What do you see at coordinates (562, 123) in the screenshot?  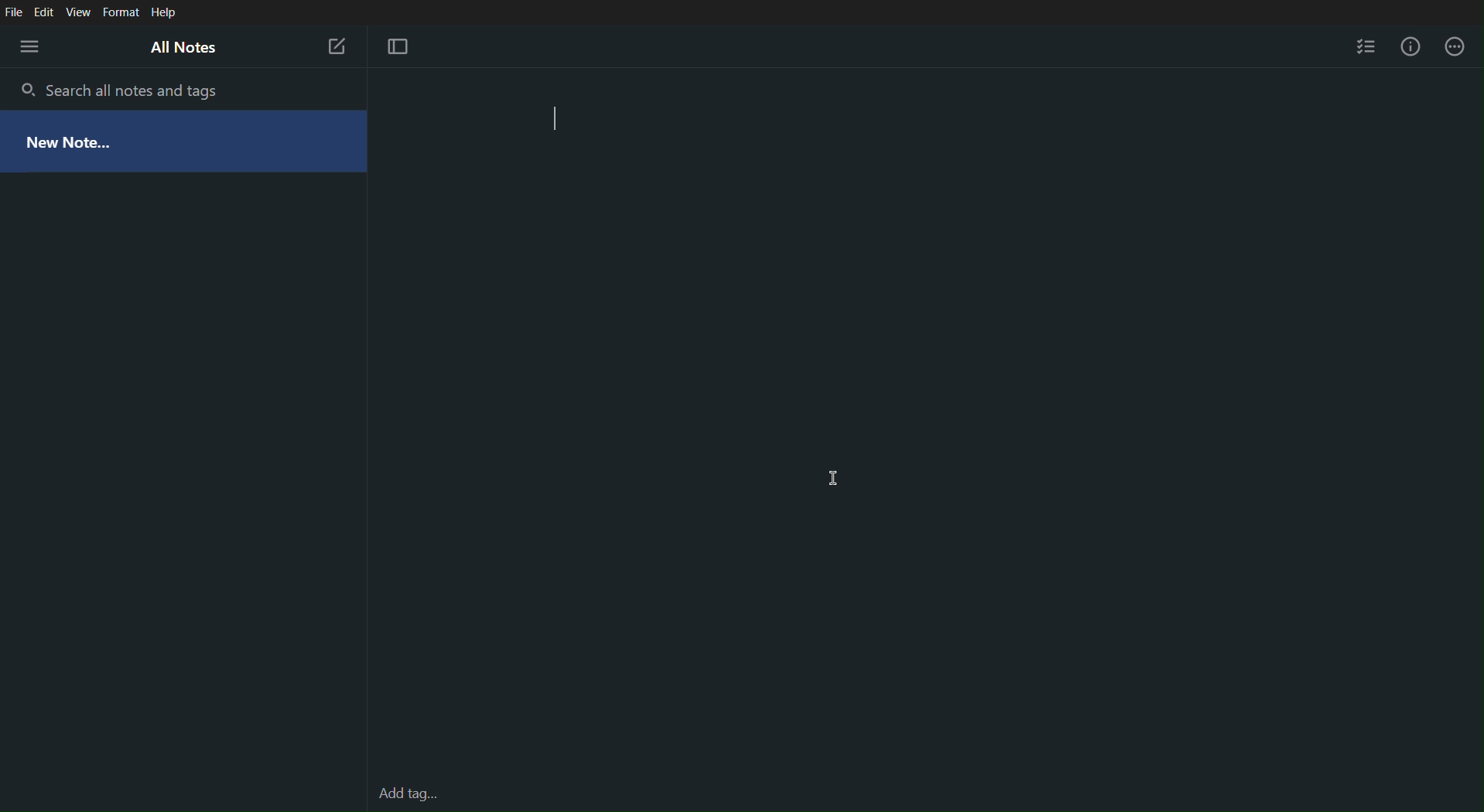 I see `typing cursor` at bounding box center [562, 123].